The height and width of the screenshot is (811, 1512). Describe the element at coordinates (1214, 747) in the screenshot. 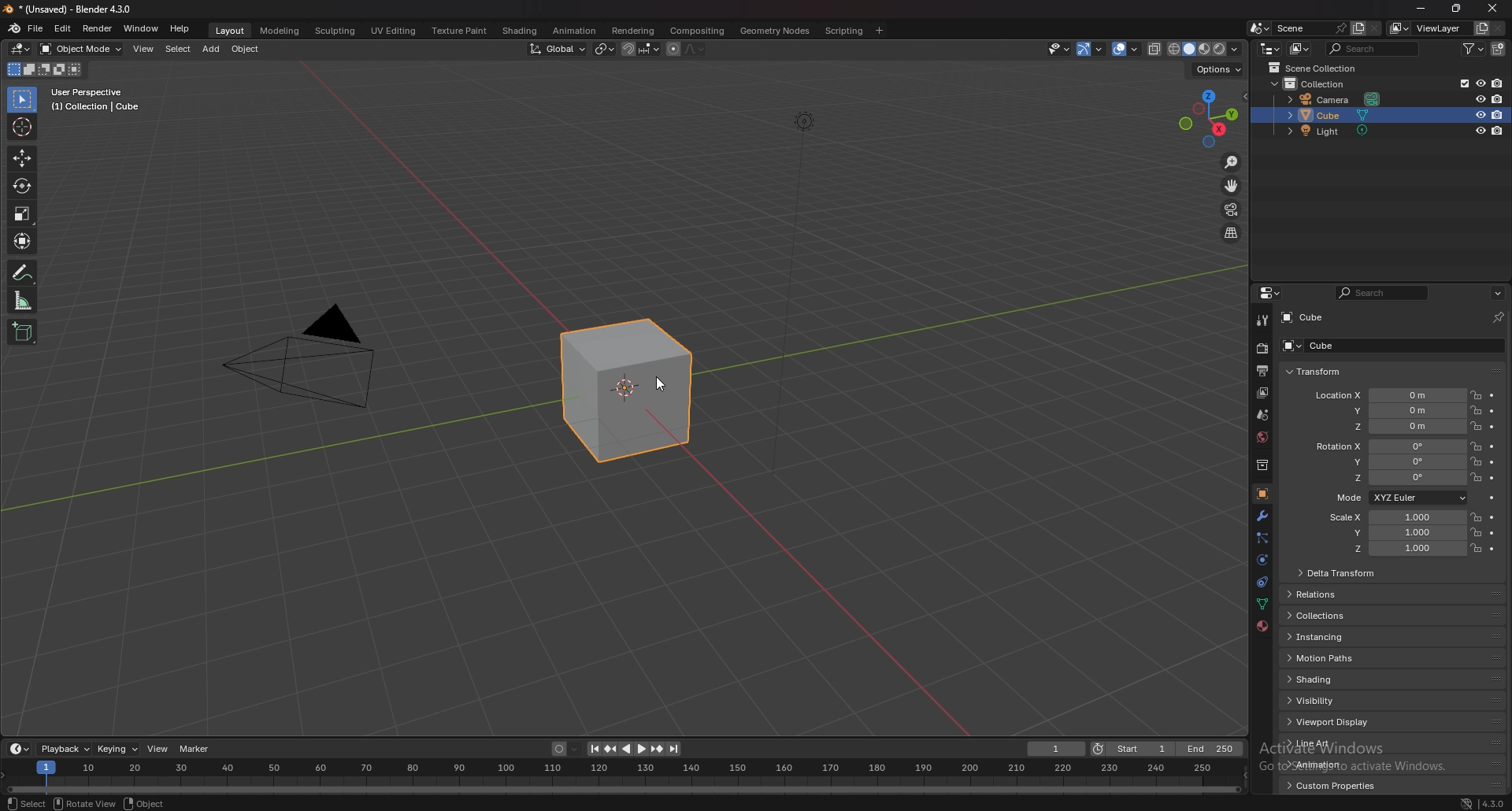

I see `end` at that location.